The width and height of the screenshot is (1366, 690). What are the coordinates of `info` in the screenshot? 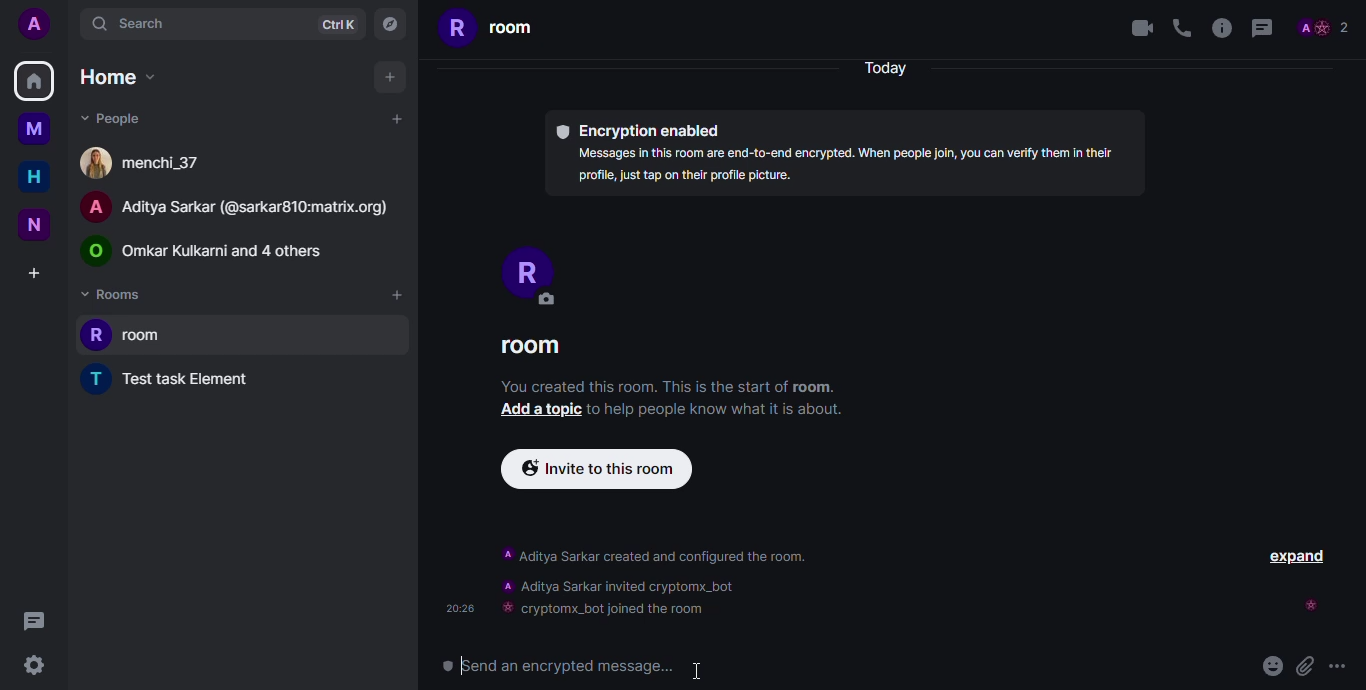 It's located at (1223, 28).